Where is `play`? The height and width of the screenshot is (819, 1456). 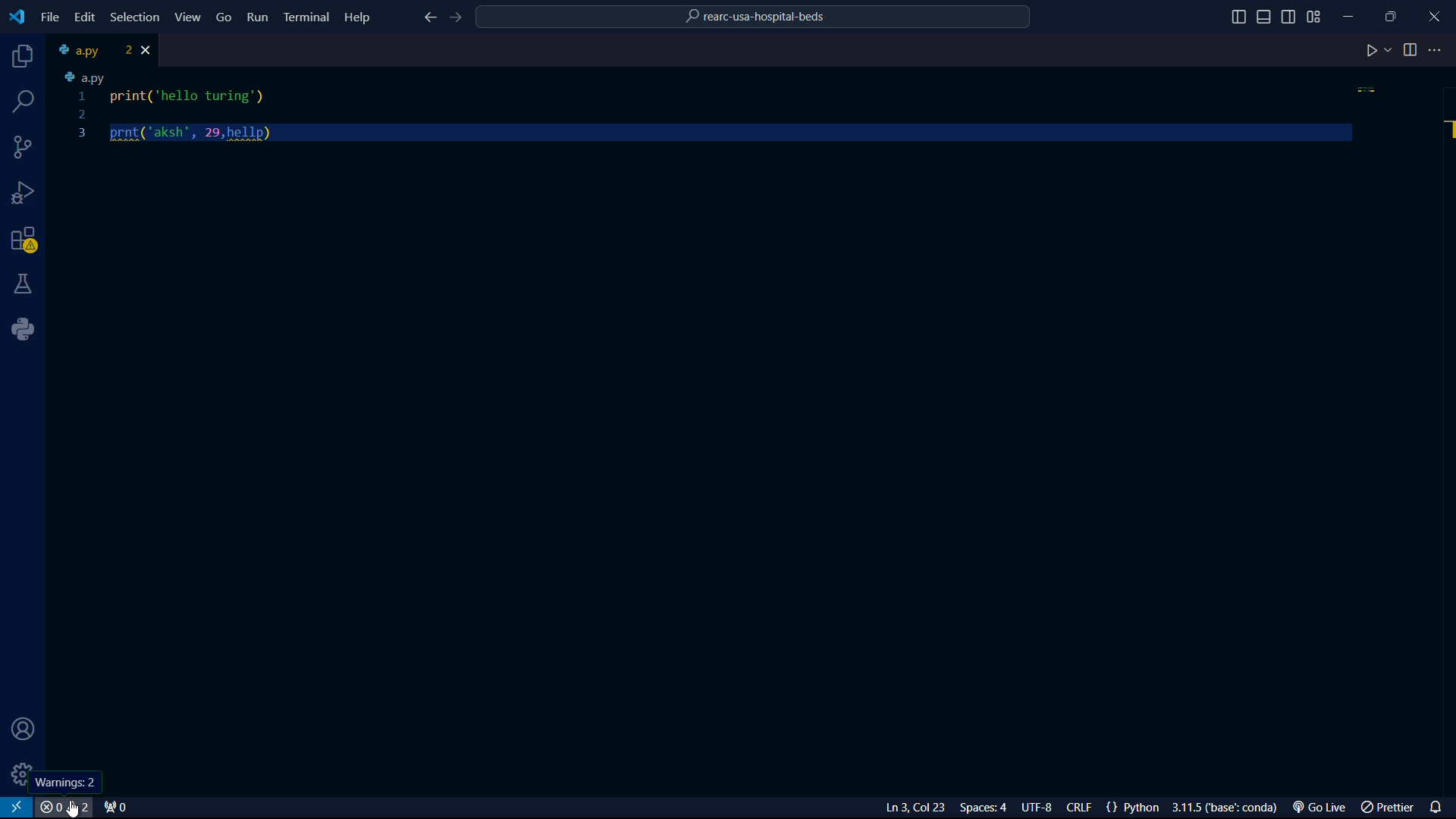
play is located at coordinates (1378, 52).